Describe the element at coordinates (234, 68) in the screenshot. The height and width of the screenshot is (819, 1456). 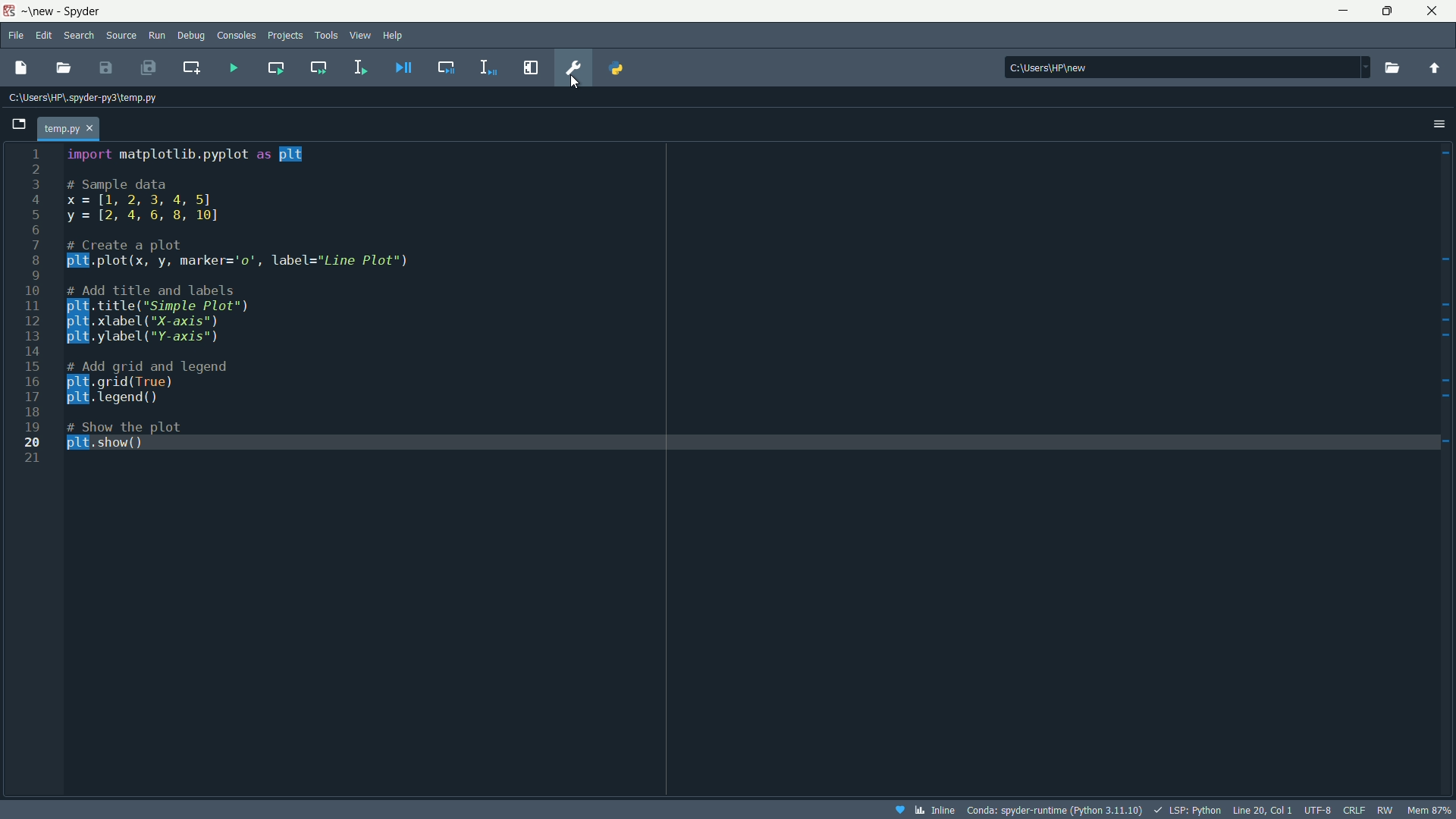
I see `run file` at that location.